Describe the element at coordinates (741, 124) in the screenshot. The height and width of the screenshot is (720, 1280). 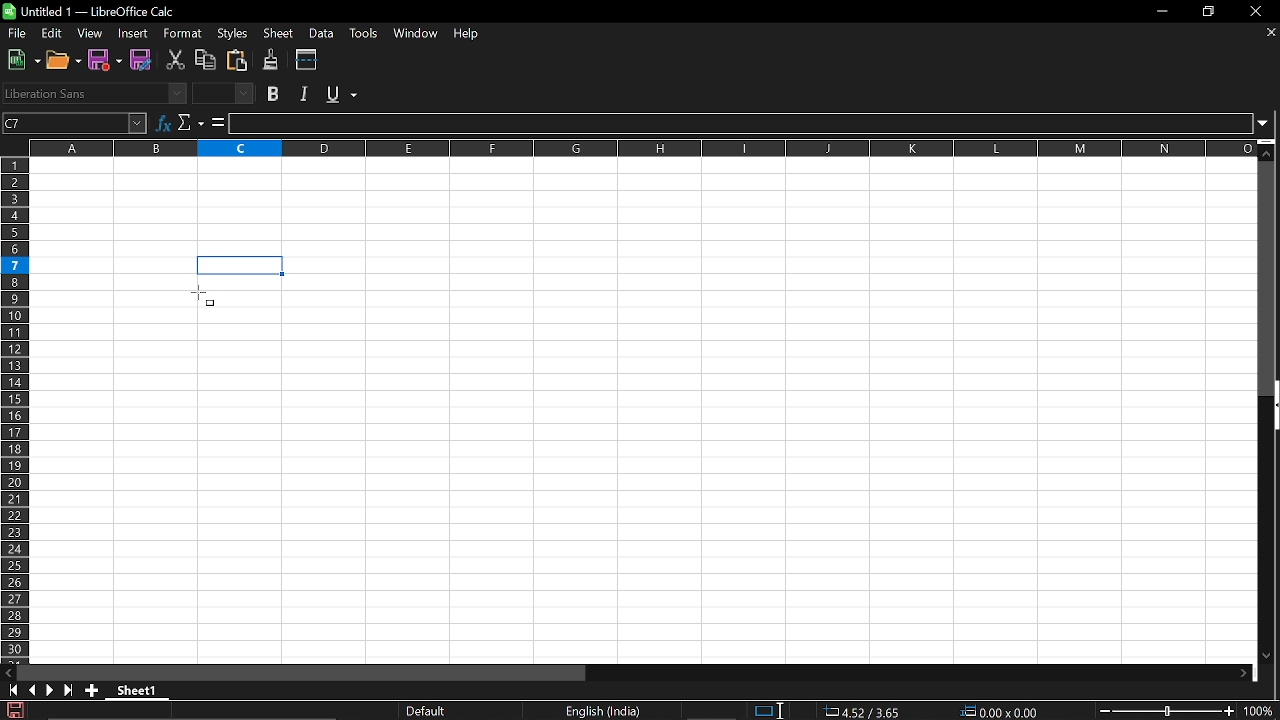
I see `Input line` at that location.